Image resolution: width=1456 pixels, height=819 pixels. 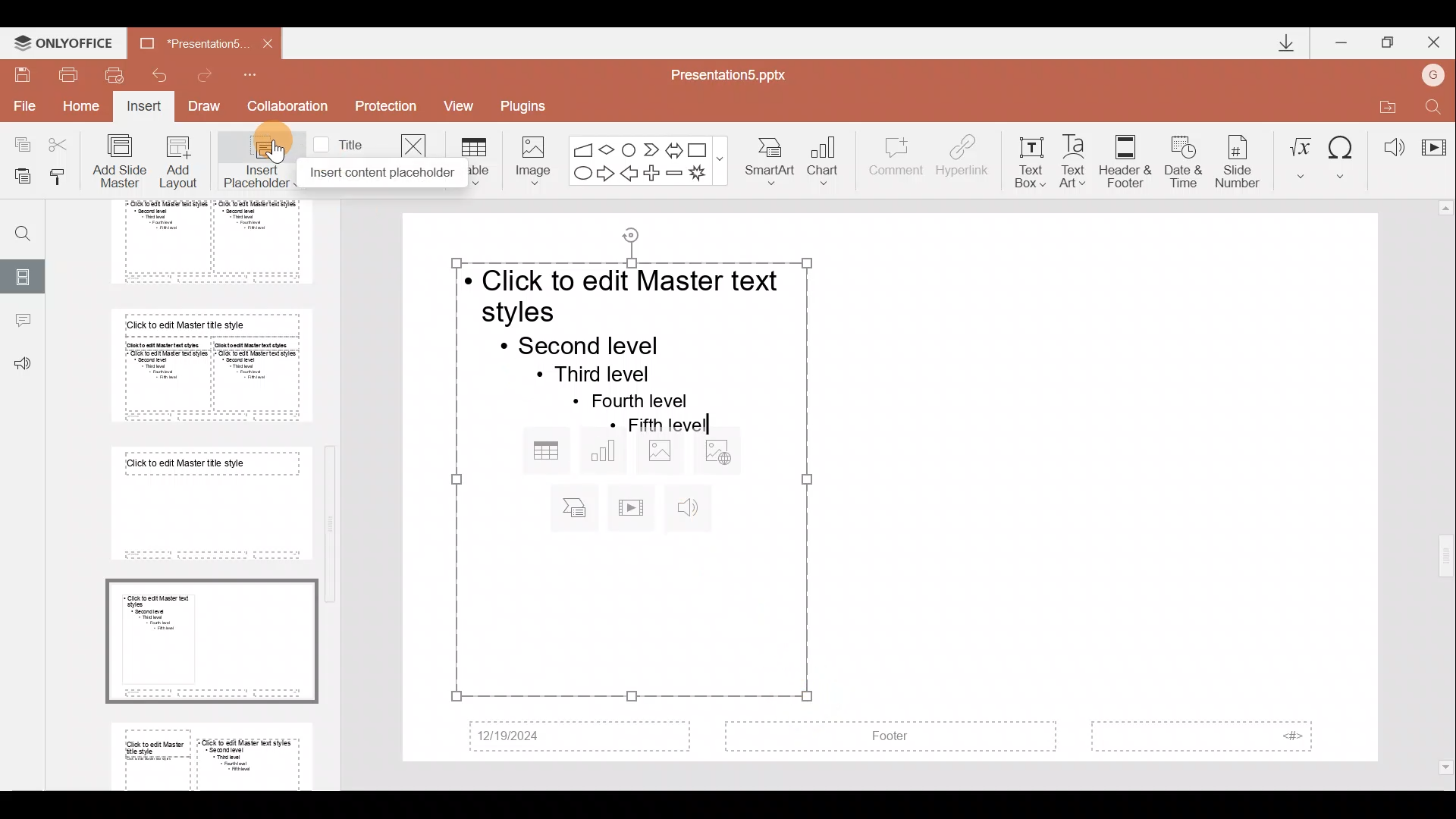 What do you see at coordinates (1388, 143) in the screenshot?
I see `Audio` at bounding box center [1388, 143].